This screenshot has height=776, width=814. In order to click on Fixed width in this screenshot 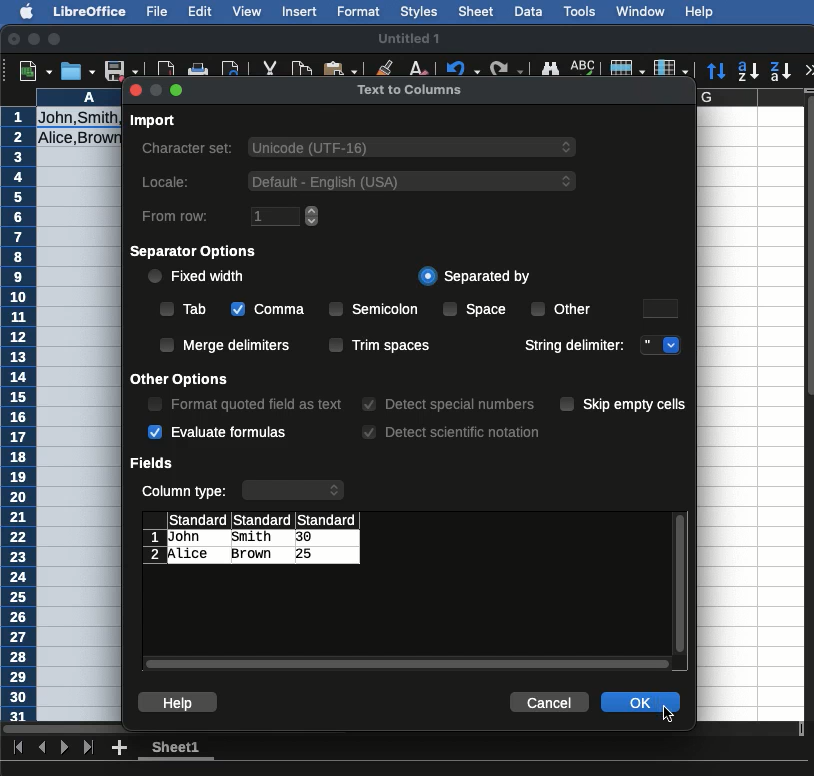, I will do `click(195, 276)`.